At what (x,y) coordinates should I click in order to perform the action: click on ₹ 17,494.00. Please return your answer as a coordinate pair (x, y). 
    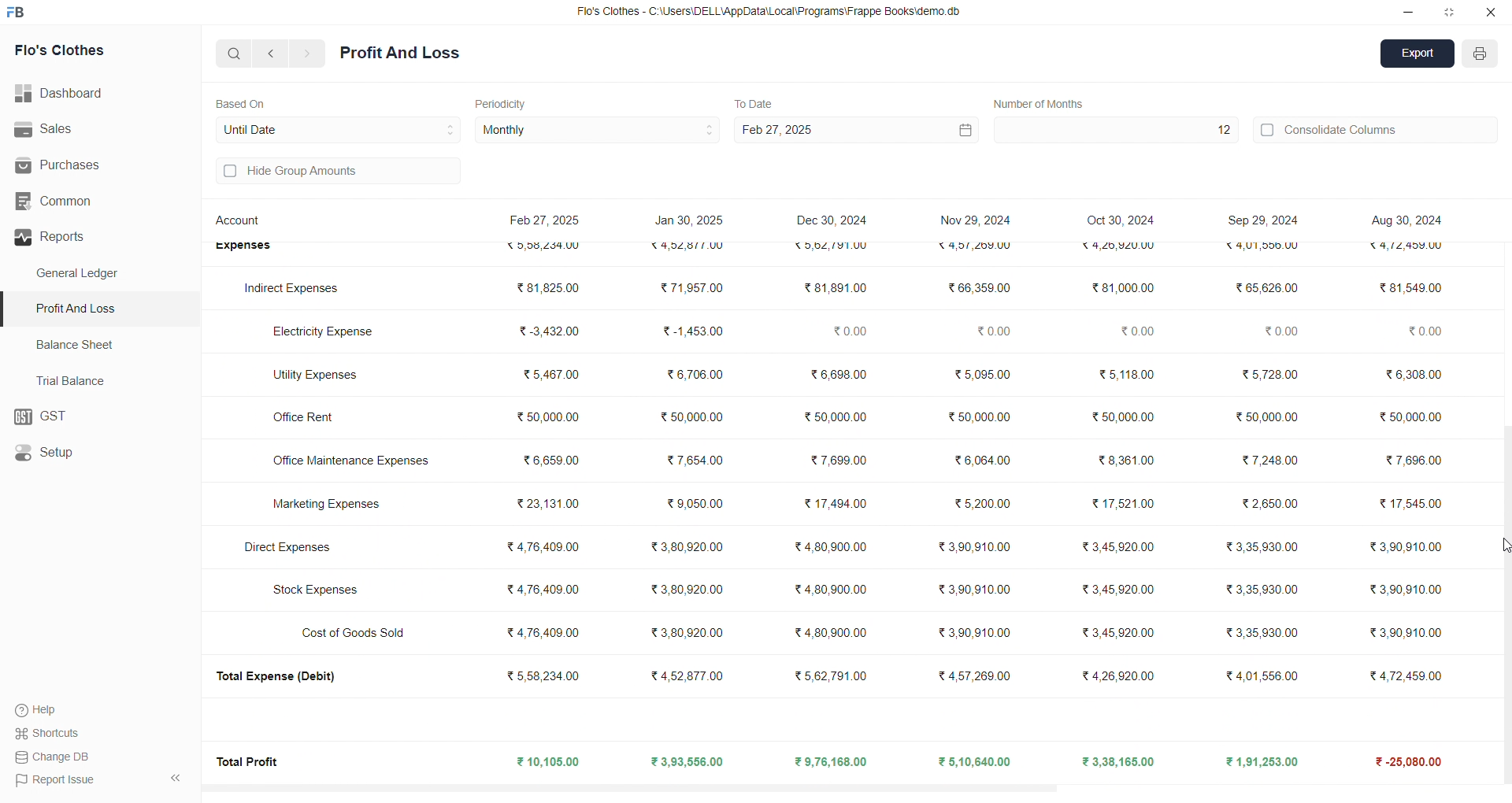
    Looking at the image, I should click on (833, 501).